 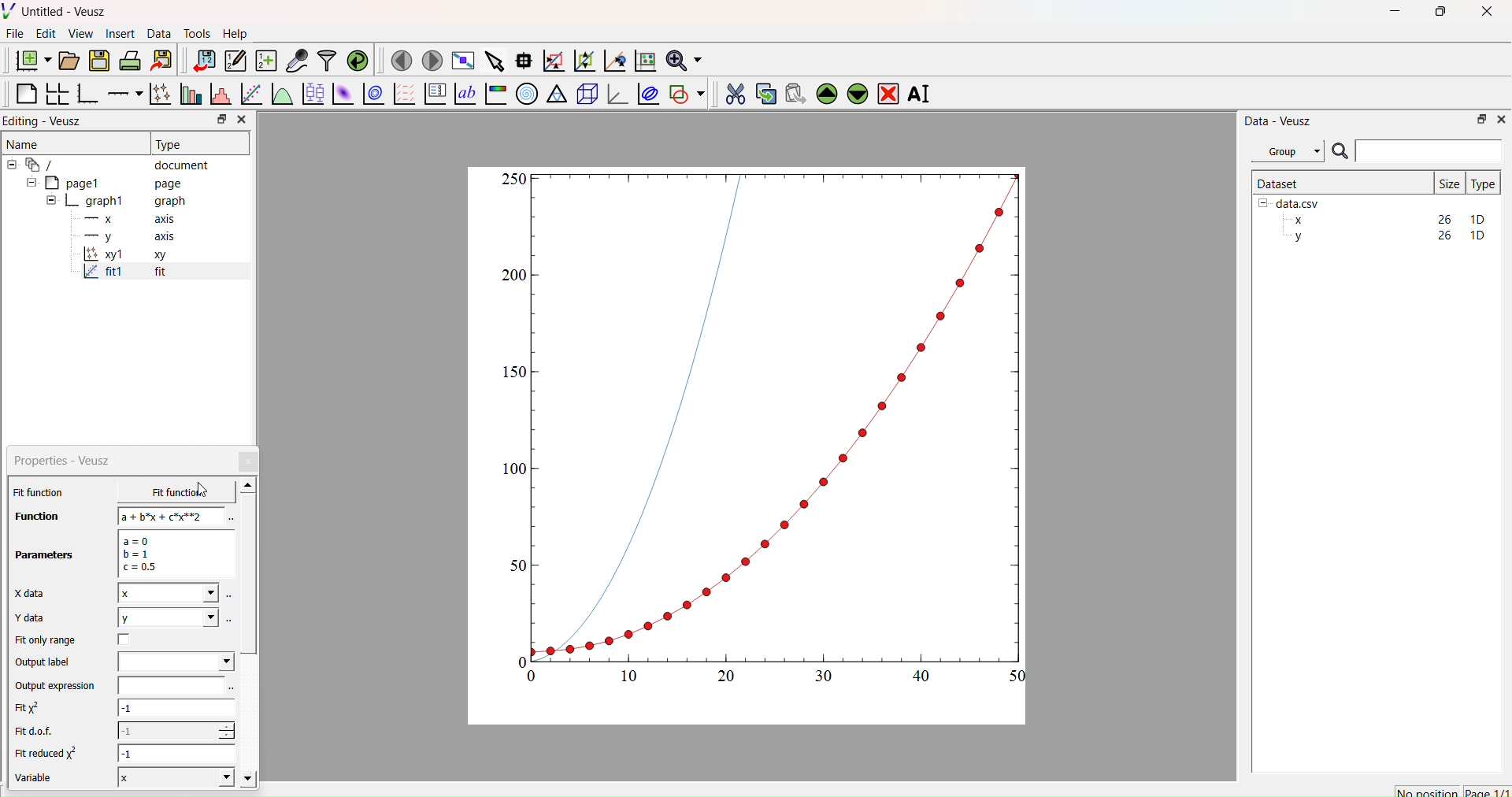 What do you see at coordinates (825, 91) in the screenshot?
I see `Up` at bounding box center [825, 91].